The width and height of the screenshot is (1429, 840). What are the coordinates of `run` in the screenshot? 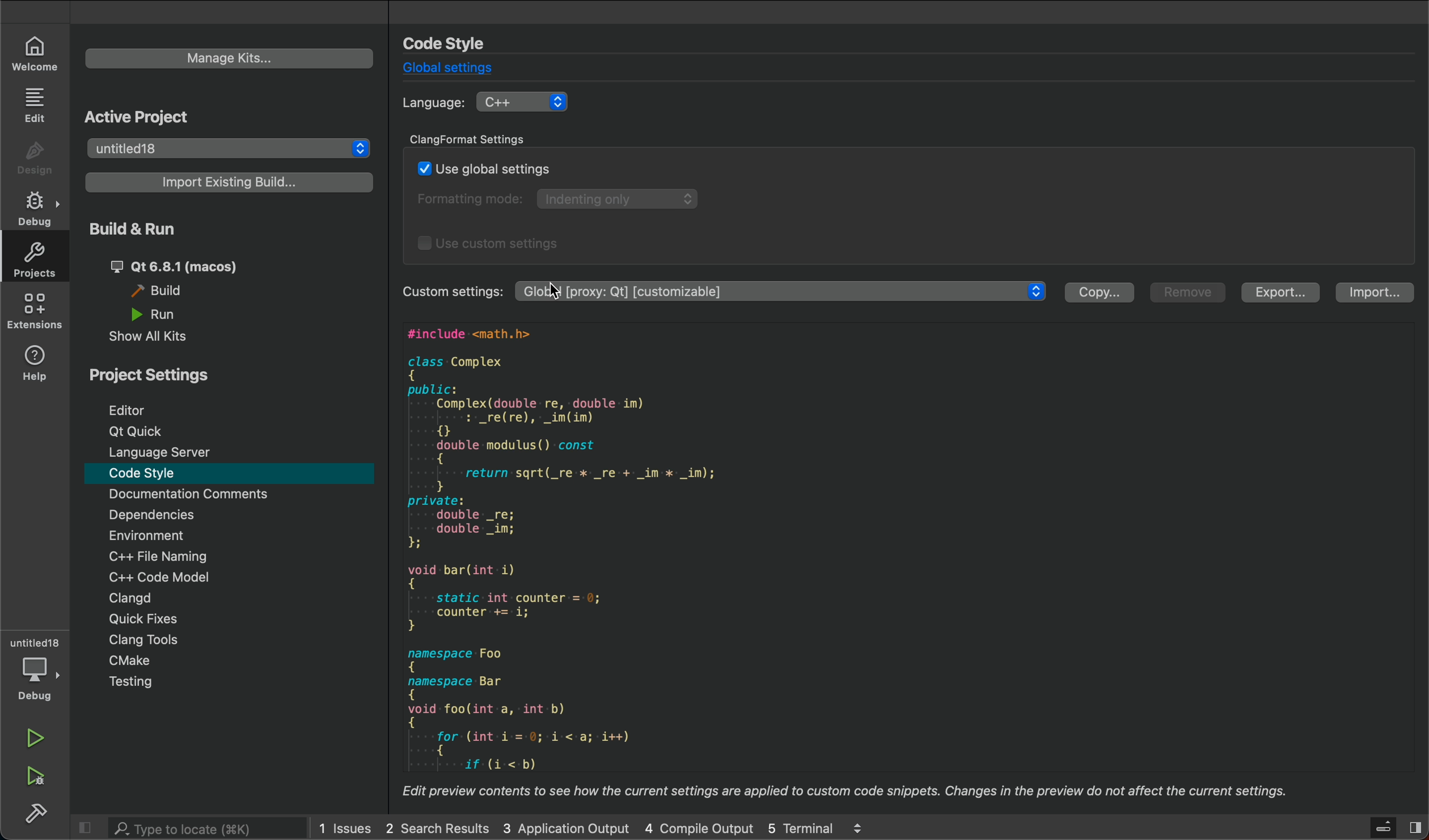 It's located at (38, 738).